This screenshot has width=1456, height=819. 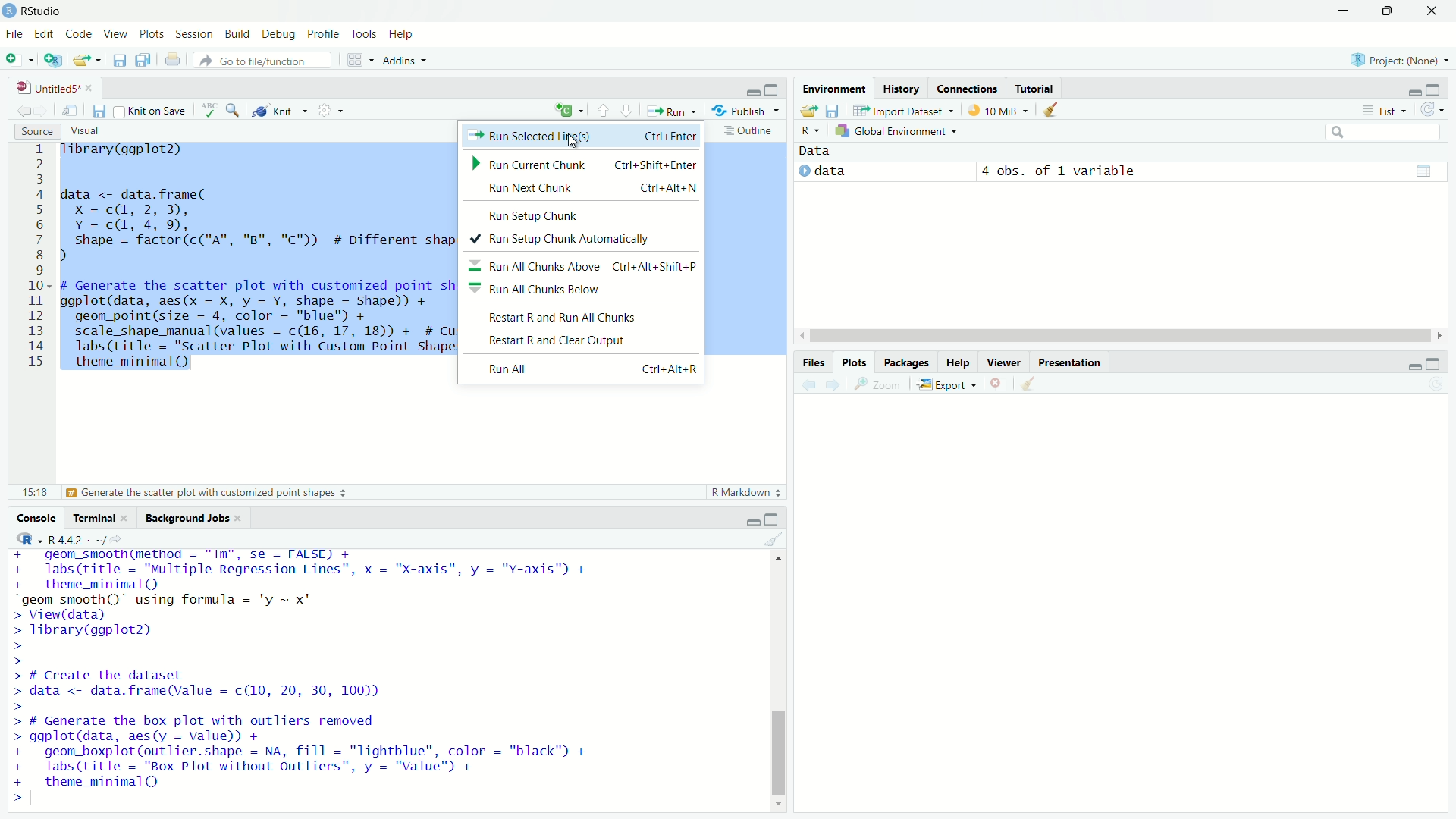 What do you see at coordinates (1058, 171) in the screenshot?
I see `4 obs. of 1 variable` at bounding box center [1058, 171].